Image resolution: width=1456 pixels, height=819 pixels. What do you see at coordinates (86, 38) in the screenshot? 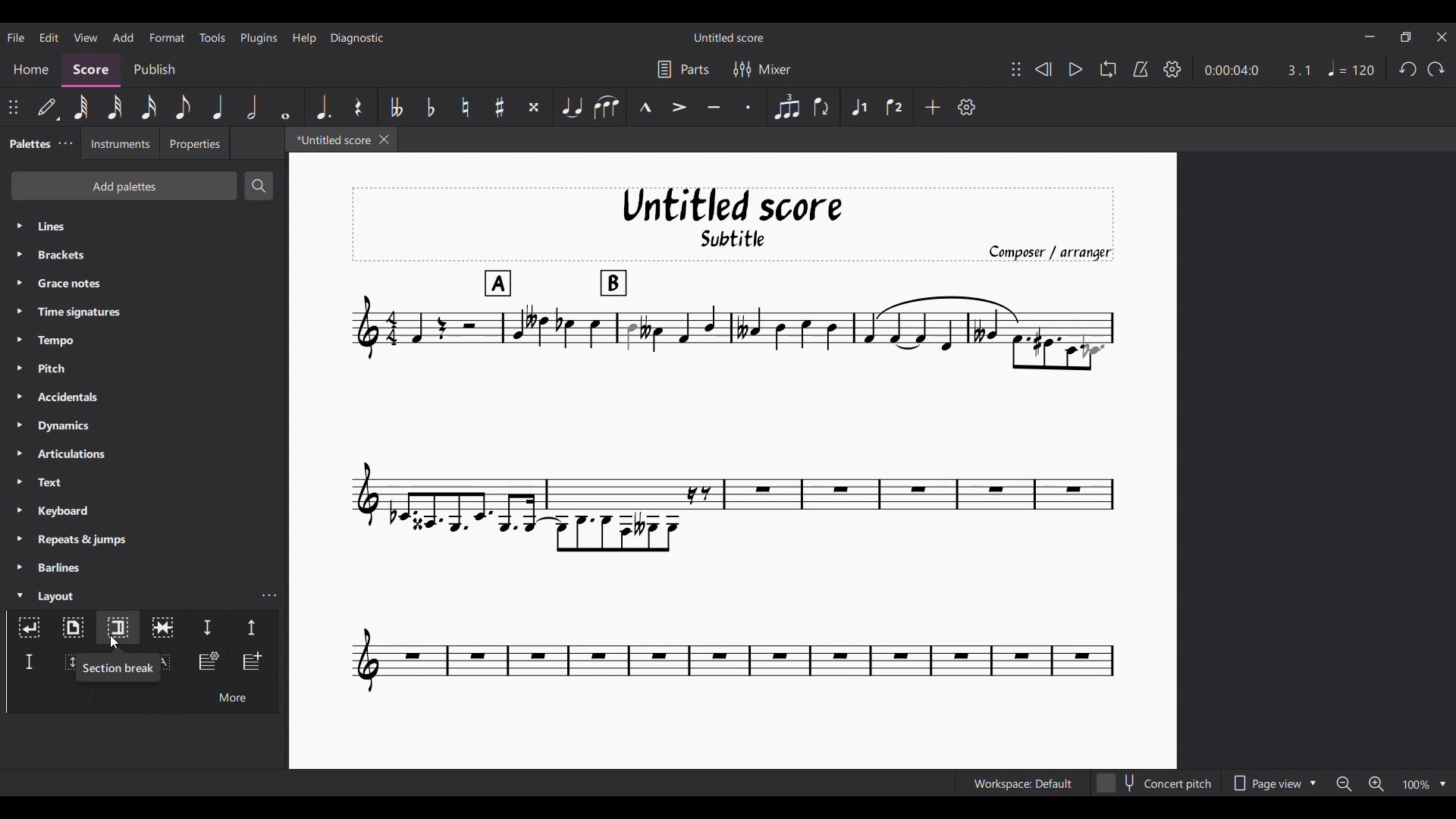
I see `View menu` at bounding box center [86, 38].